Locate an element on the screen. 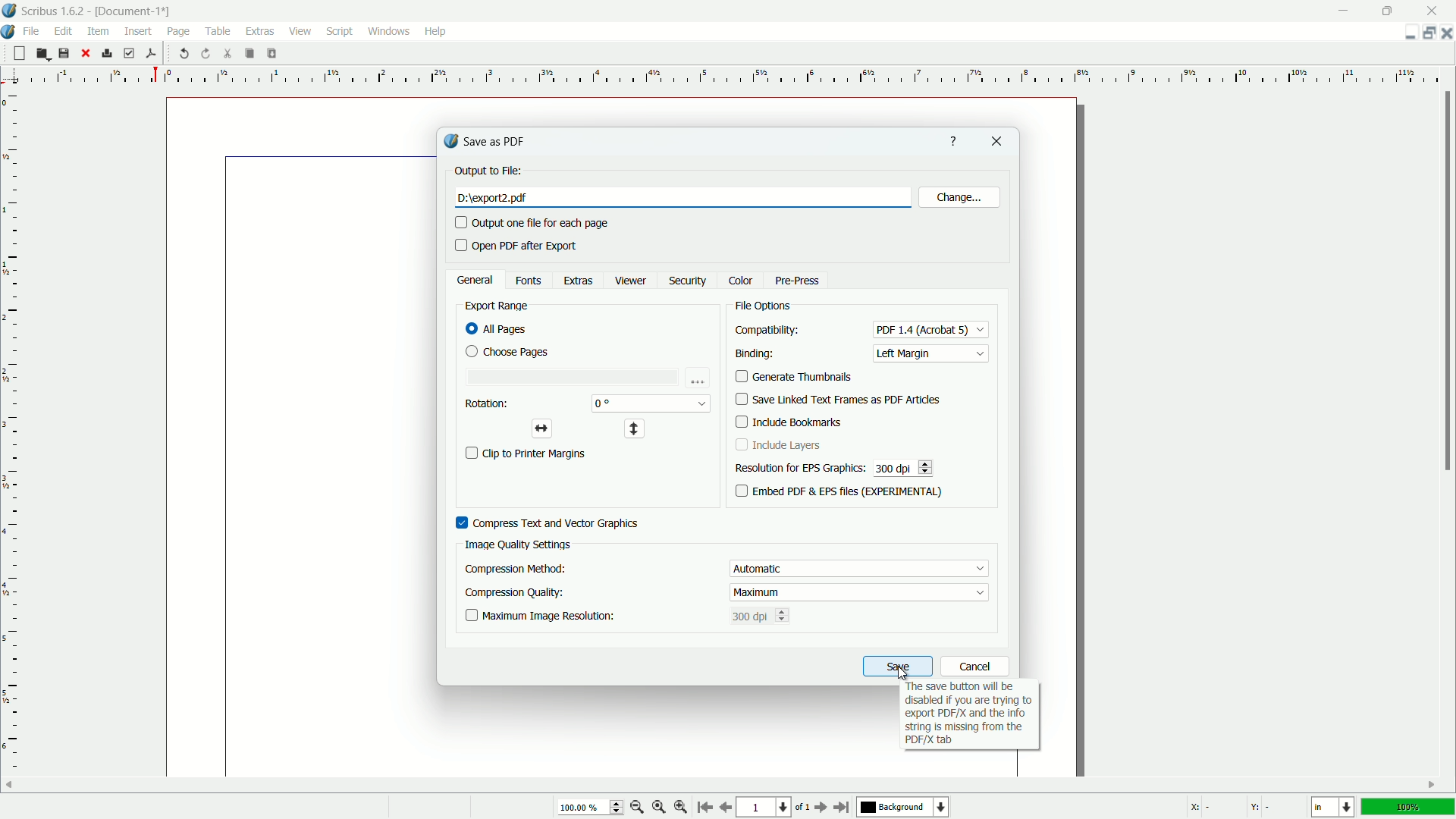  new file is located at coordinates (18, 53).